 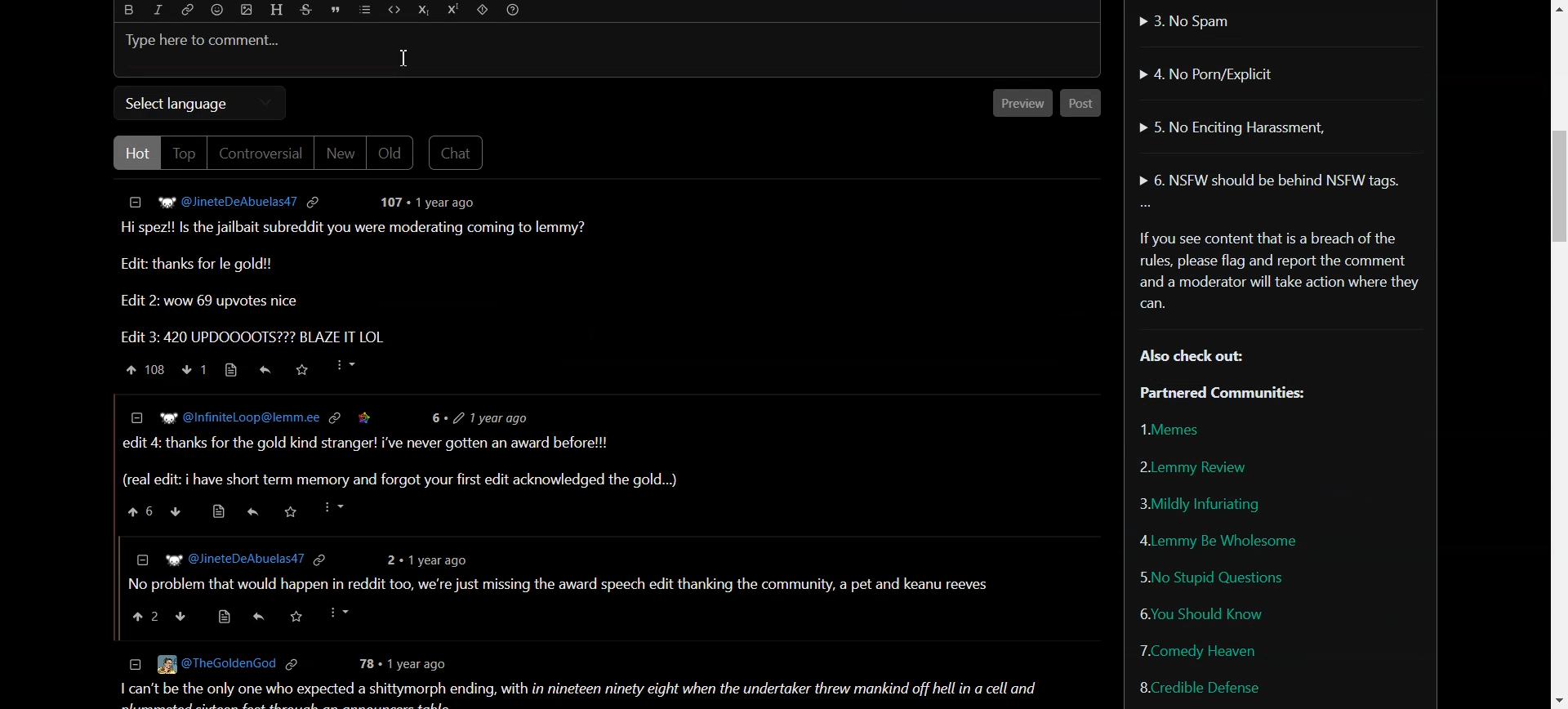 I want to click on Chat, so click(x=456, y=154).